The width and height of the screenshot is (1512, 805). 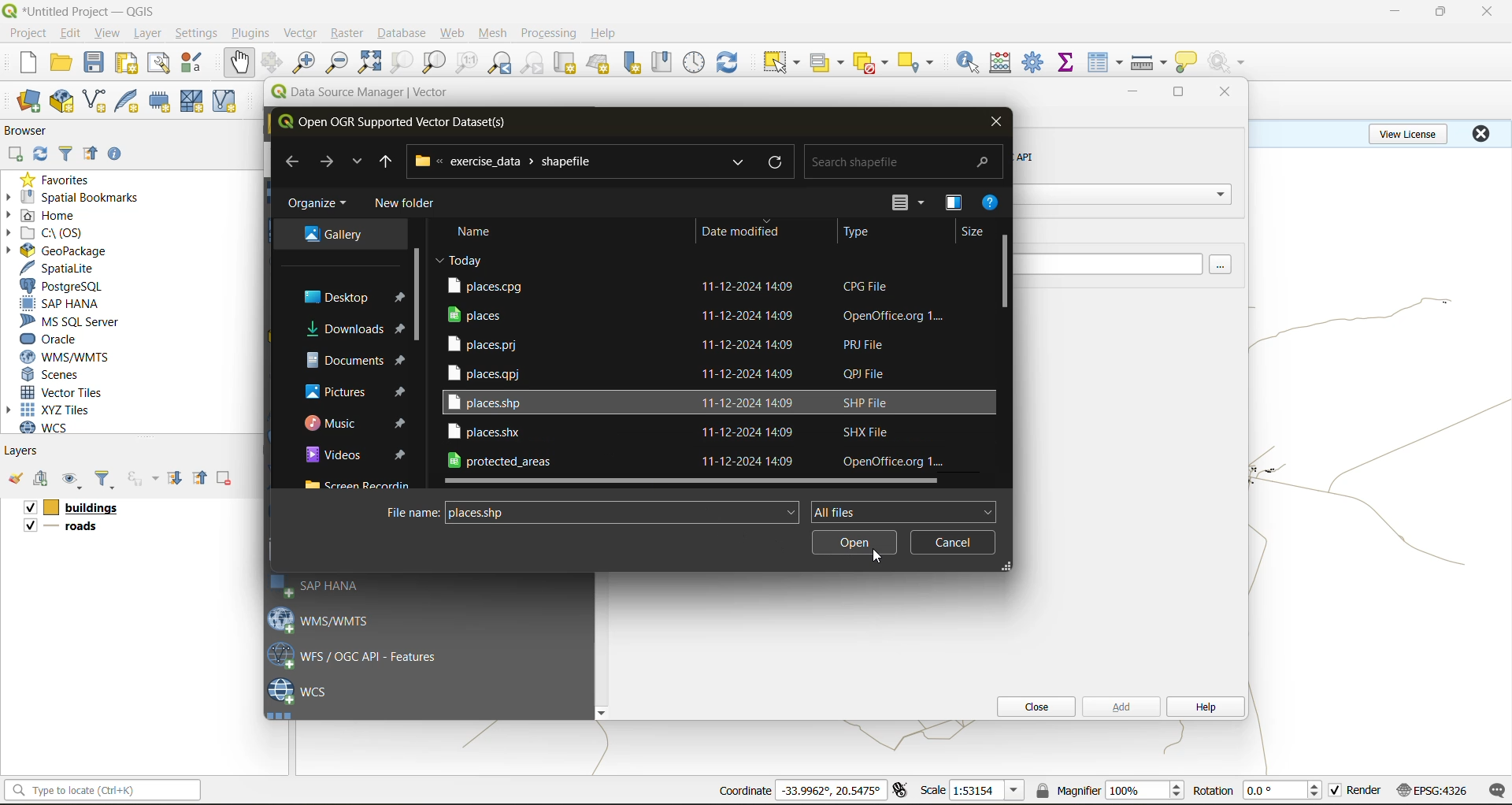 I want to click on scenes, so click(x=52, y=375).